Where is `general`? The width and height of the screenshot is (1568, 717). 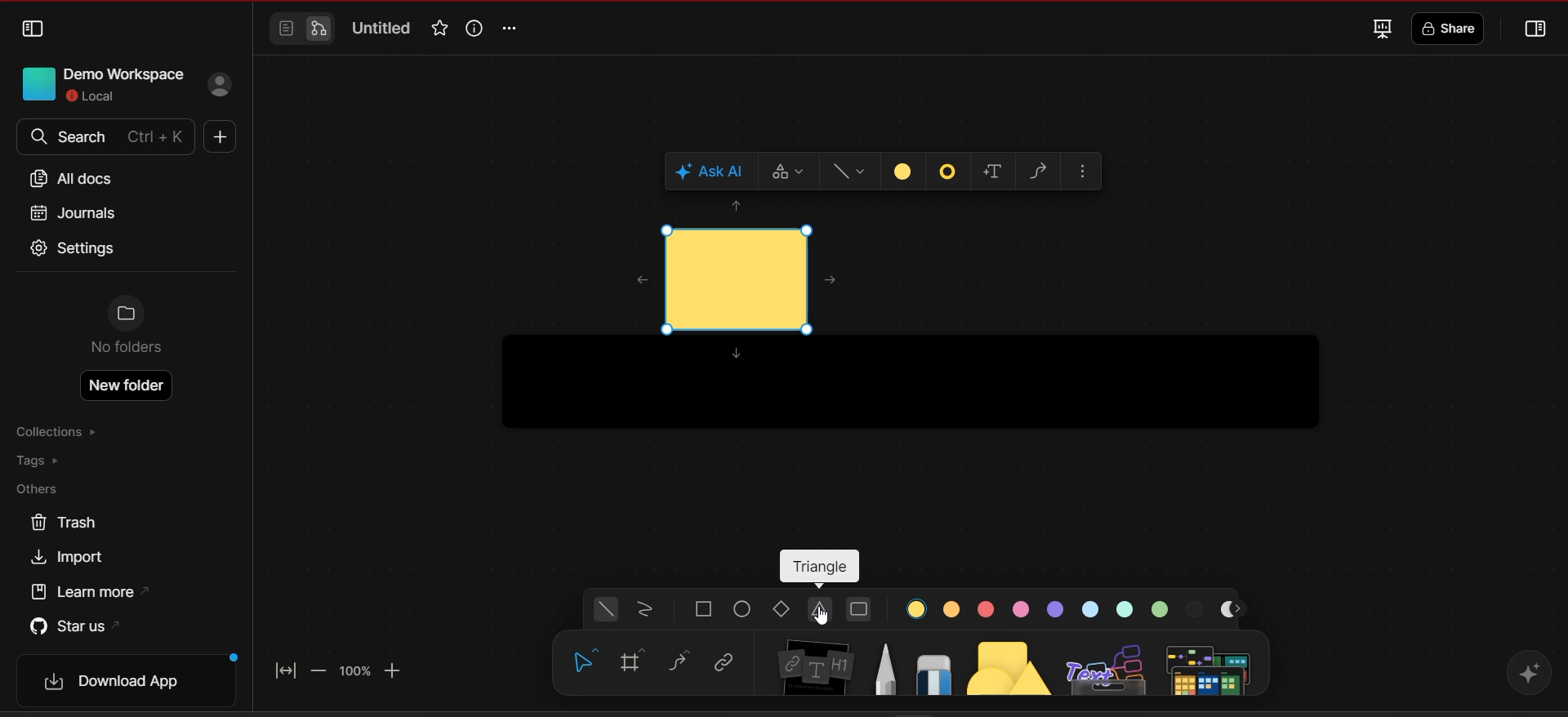
general is located at coordinates (607, 610).